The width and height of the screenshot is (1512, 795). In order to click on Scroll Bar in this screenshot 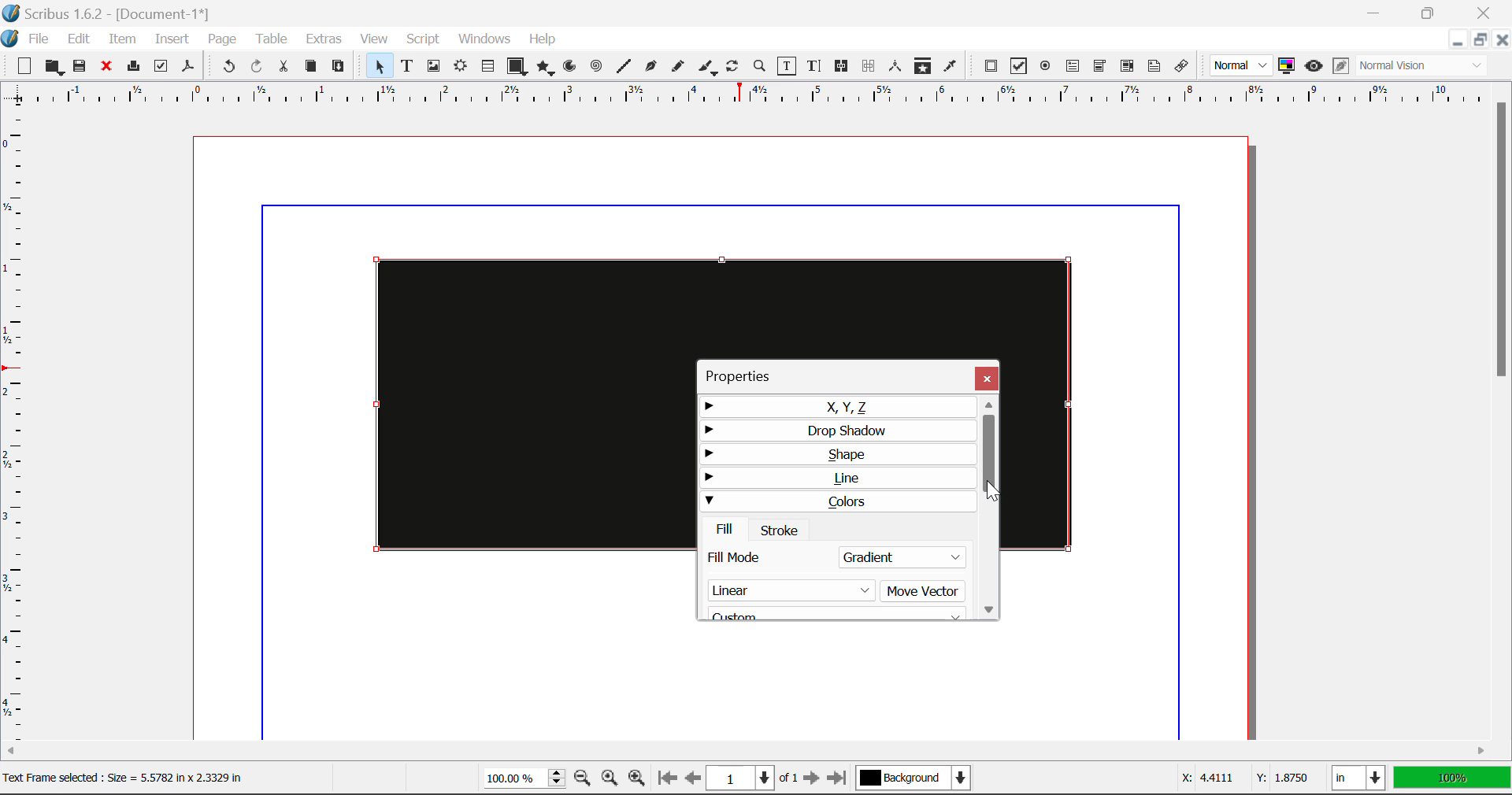, I will do `click(1503, 411)`.